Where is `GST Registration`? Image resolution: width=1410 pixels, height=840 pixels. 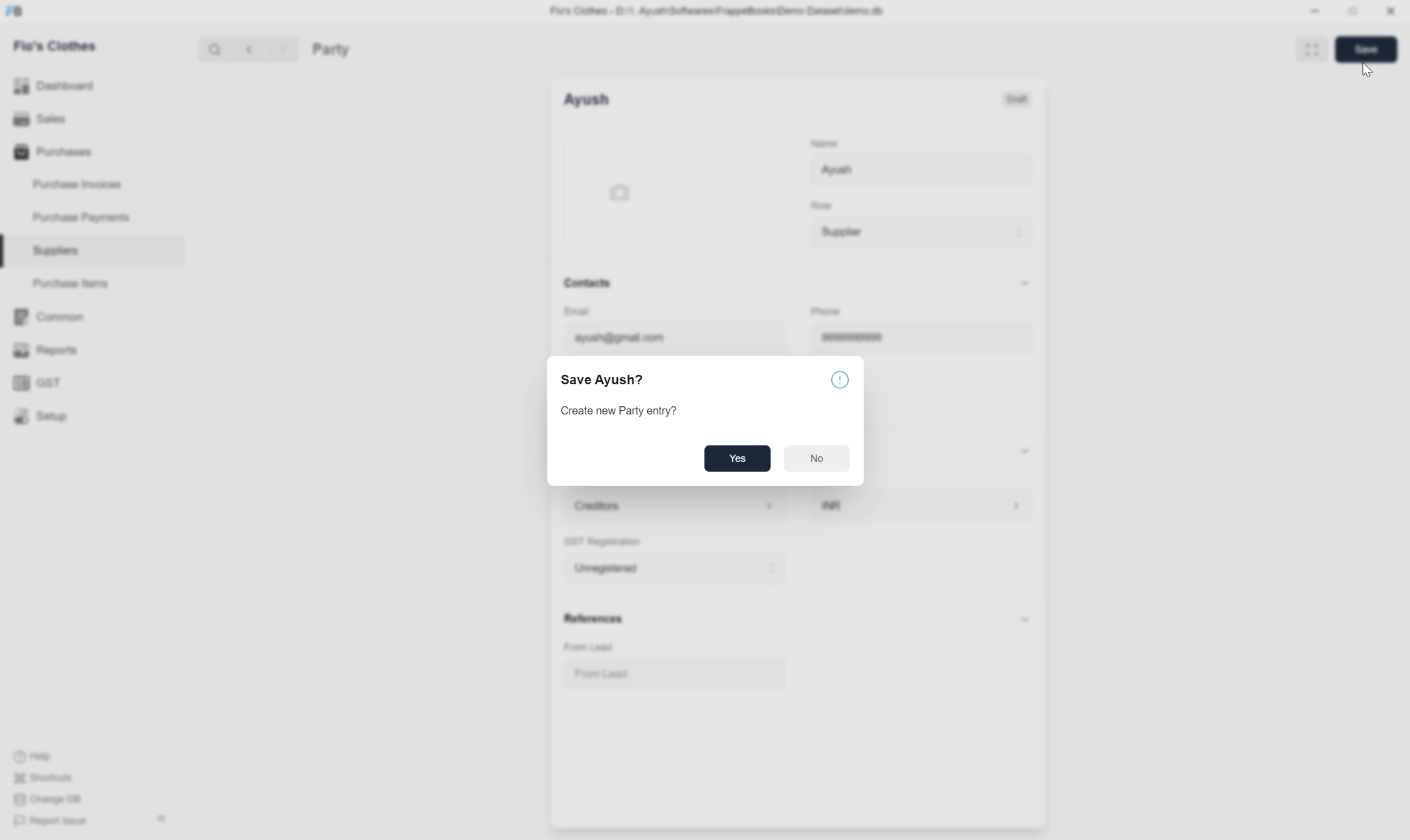 GST Registration is located at coordinates (603, 542).